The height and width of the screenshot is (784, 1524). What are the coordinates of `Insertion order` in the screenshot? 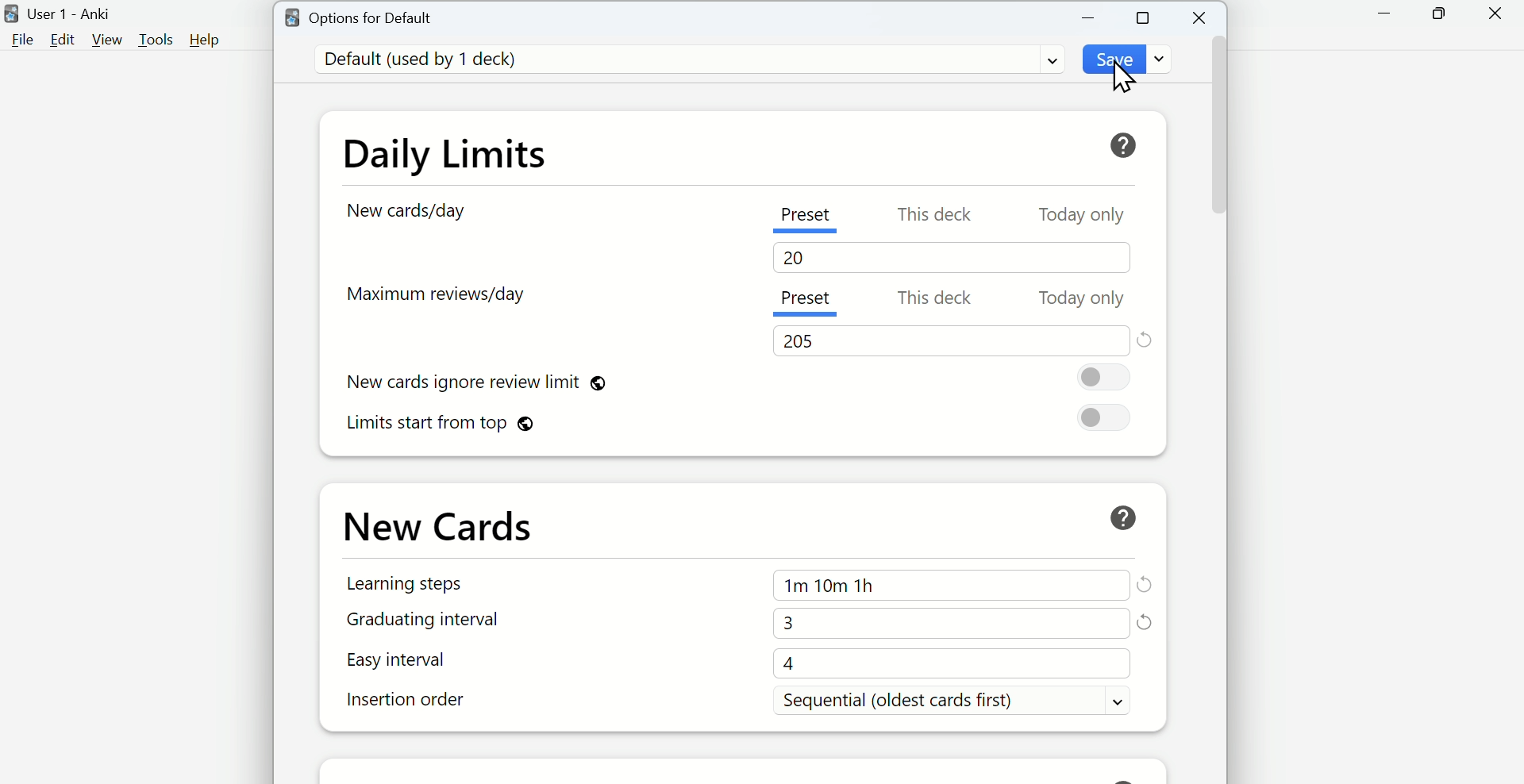 It's located at (409, 703).